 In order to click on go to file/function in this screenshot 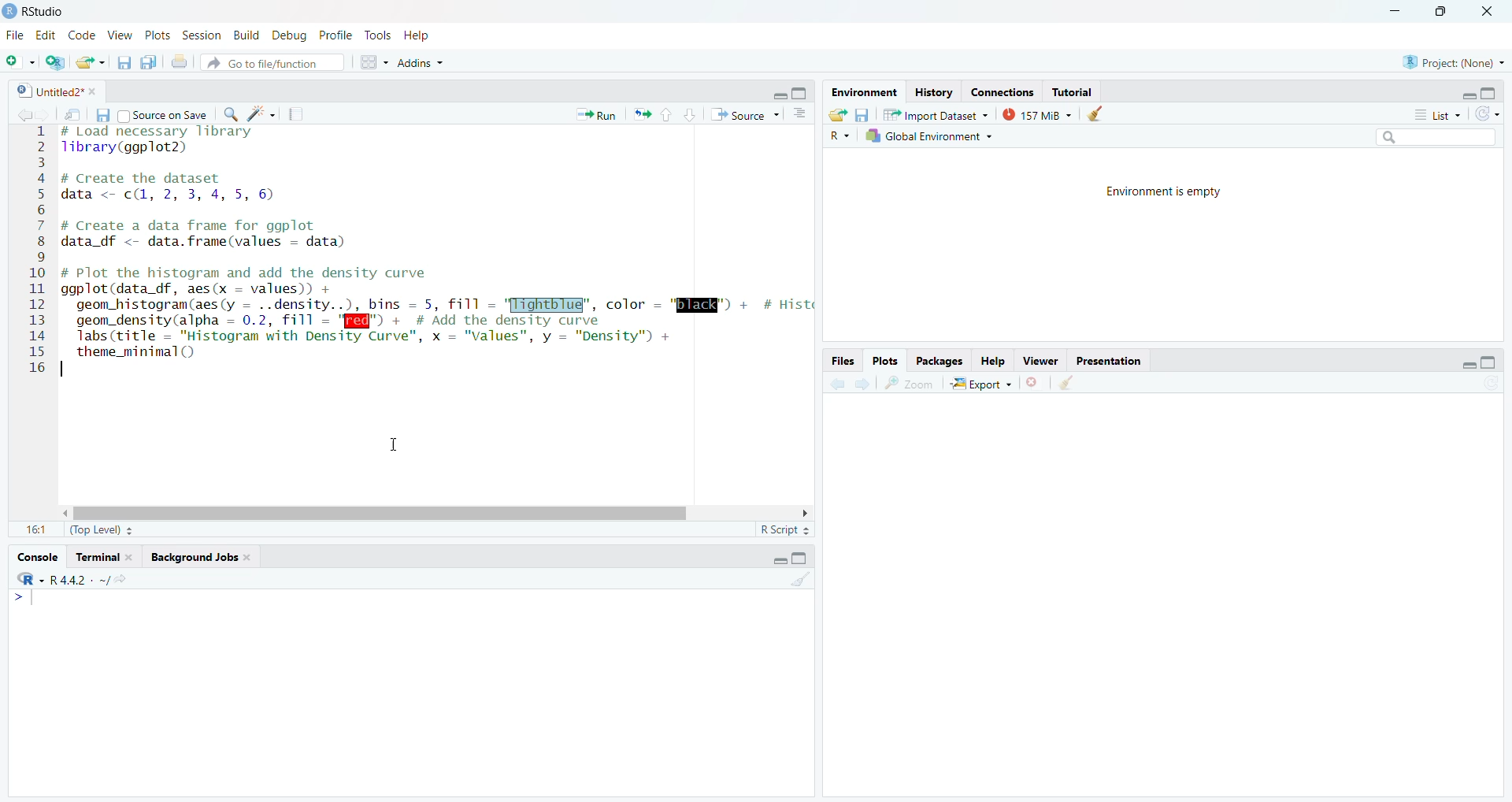, I will do `click(273, 64)`.